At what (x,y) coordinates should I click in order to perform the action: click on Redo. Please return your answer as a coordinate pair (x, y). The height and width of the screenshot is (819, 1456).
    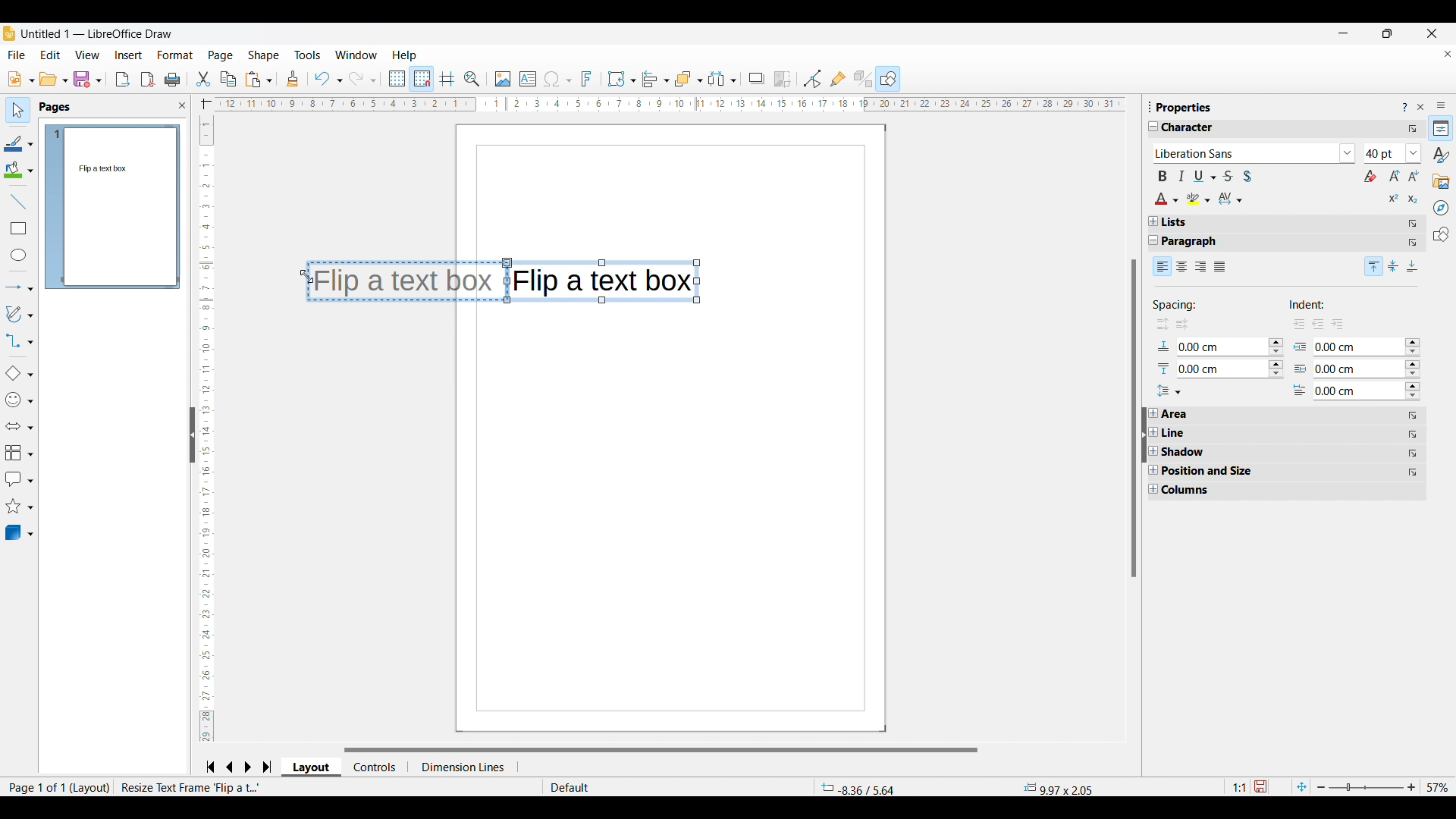
    Looking at the image, I should click on (363, 79).